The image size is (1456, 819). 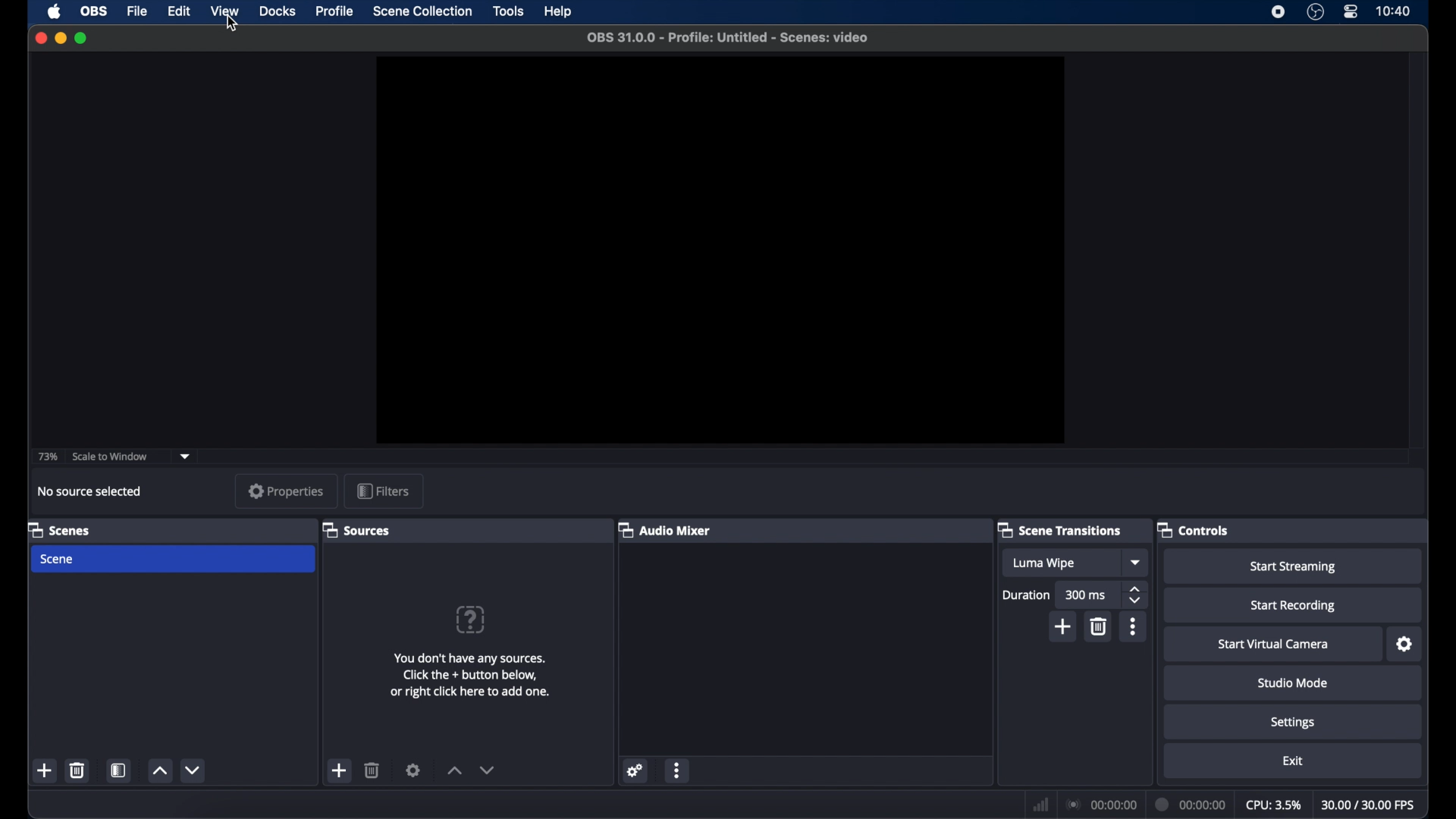 I want to click on screen recorder icon, so click(x=1277, y=11).